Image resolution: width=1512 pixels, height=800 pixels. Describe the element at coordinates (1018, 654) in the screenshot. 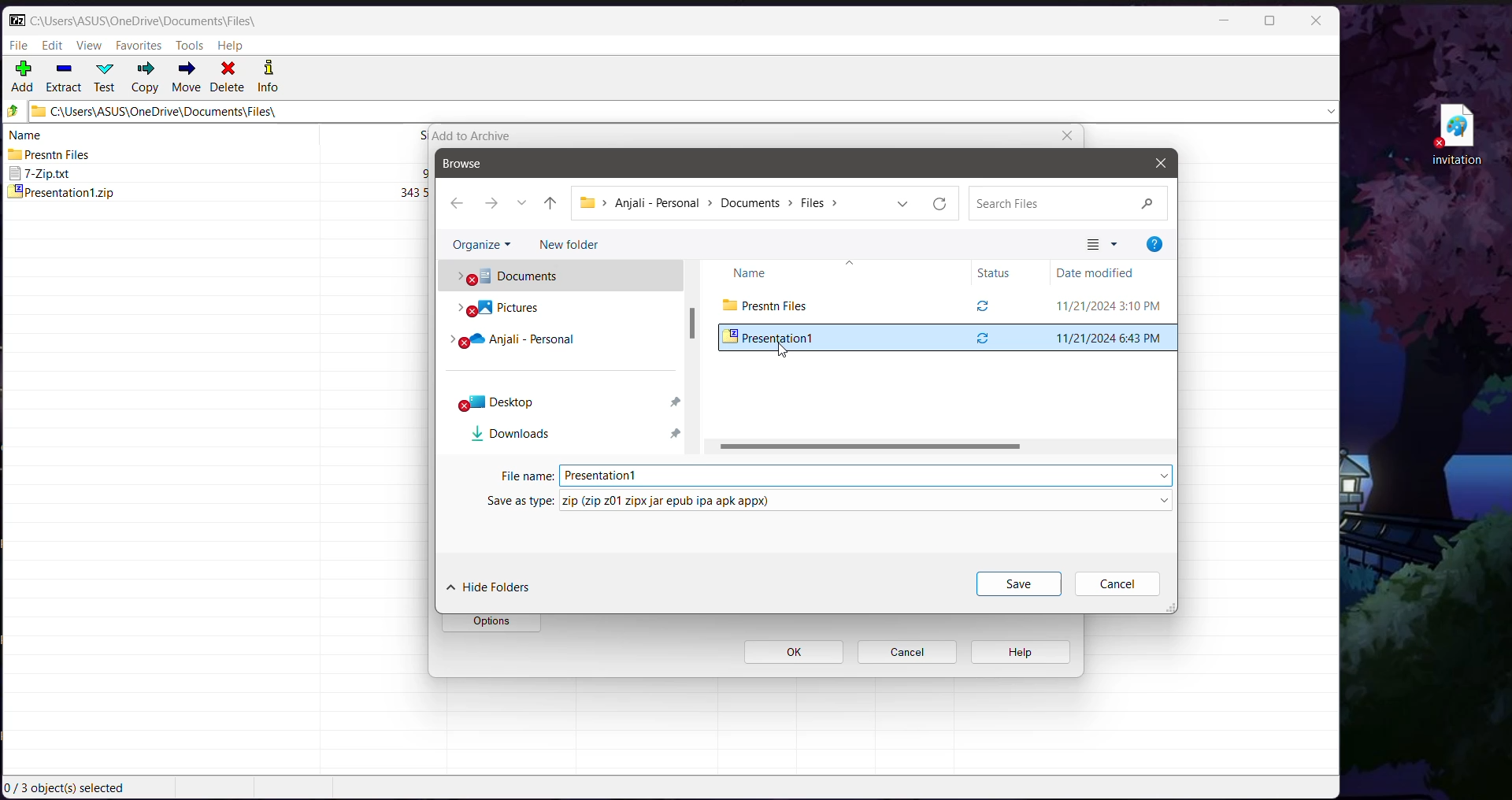

I see `help` at that location.